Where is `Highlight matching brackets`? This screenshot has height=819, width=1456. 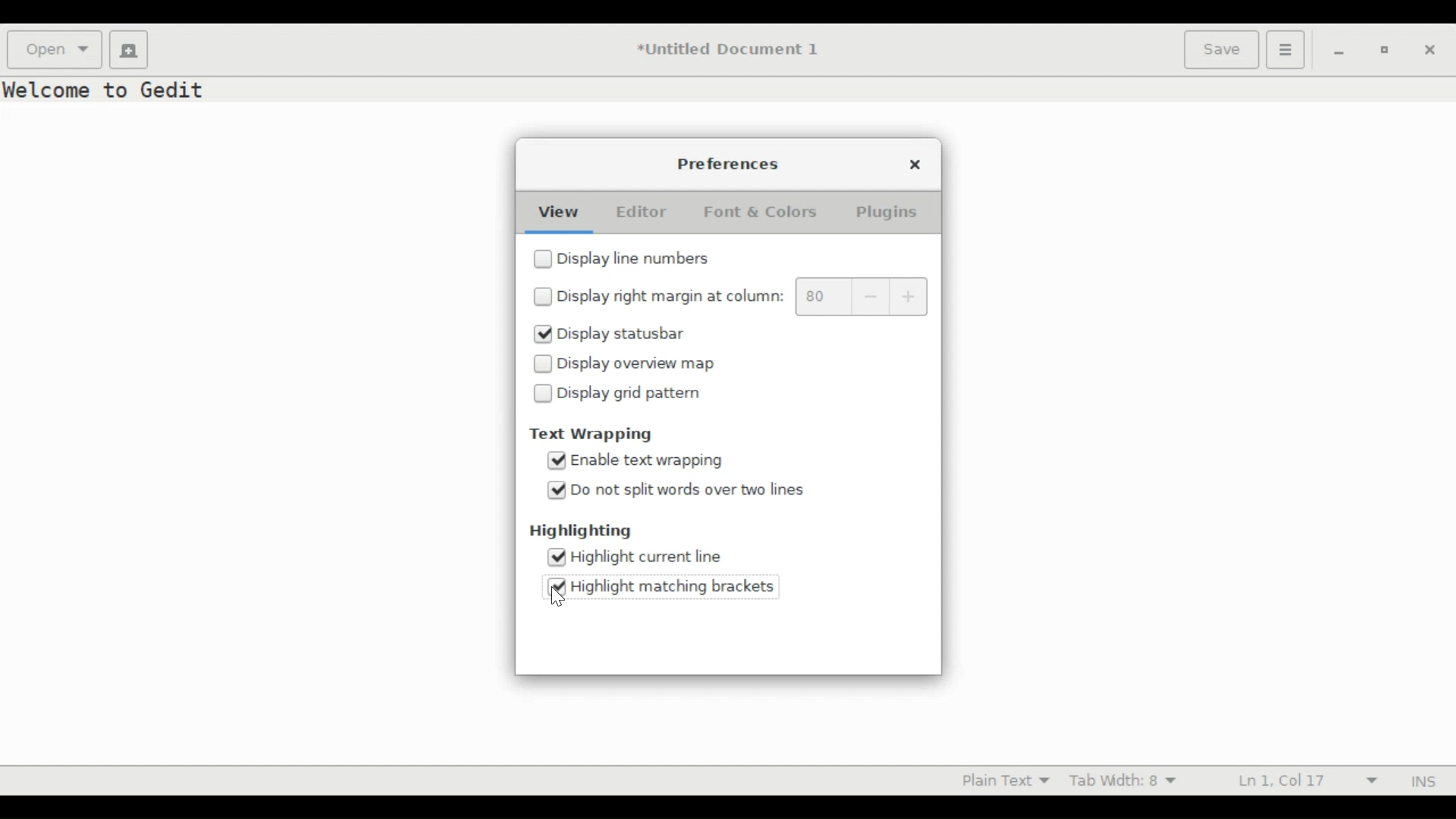
Highlight matching brackets is located at coordinates (676, 585).